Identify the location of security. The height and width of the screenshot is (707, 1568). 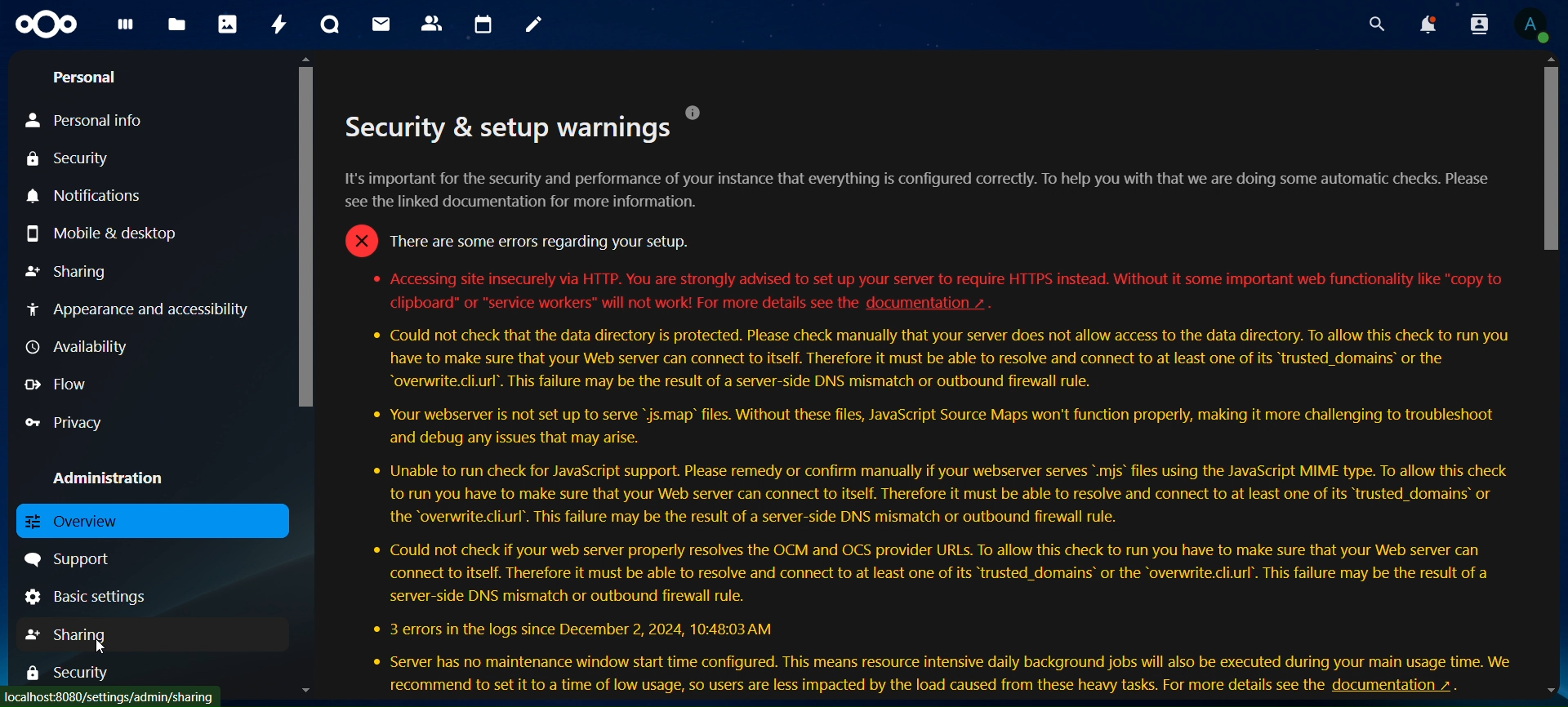
(82, 672).